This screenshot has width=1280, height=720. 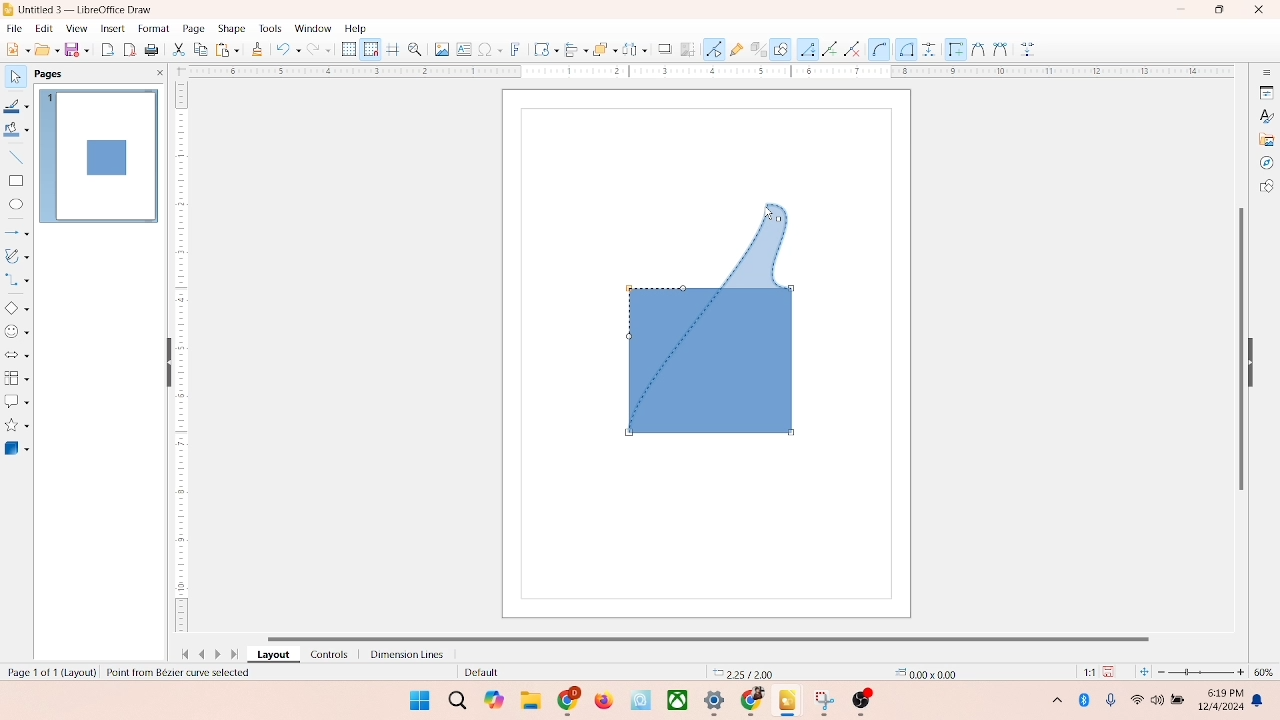 I want to click on helplines, so click(x=392, y=50).